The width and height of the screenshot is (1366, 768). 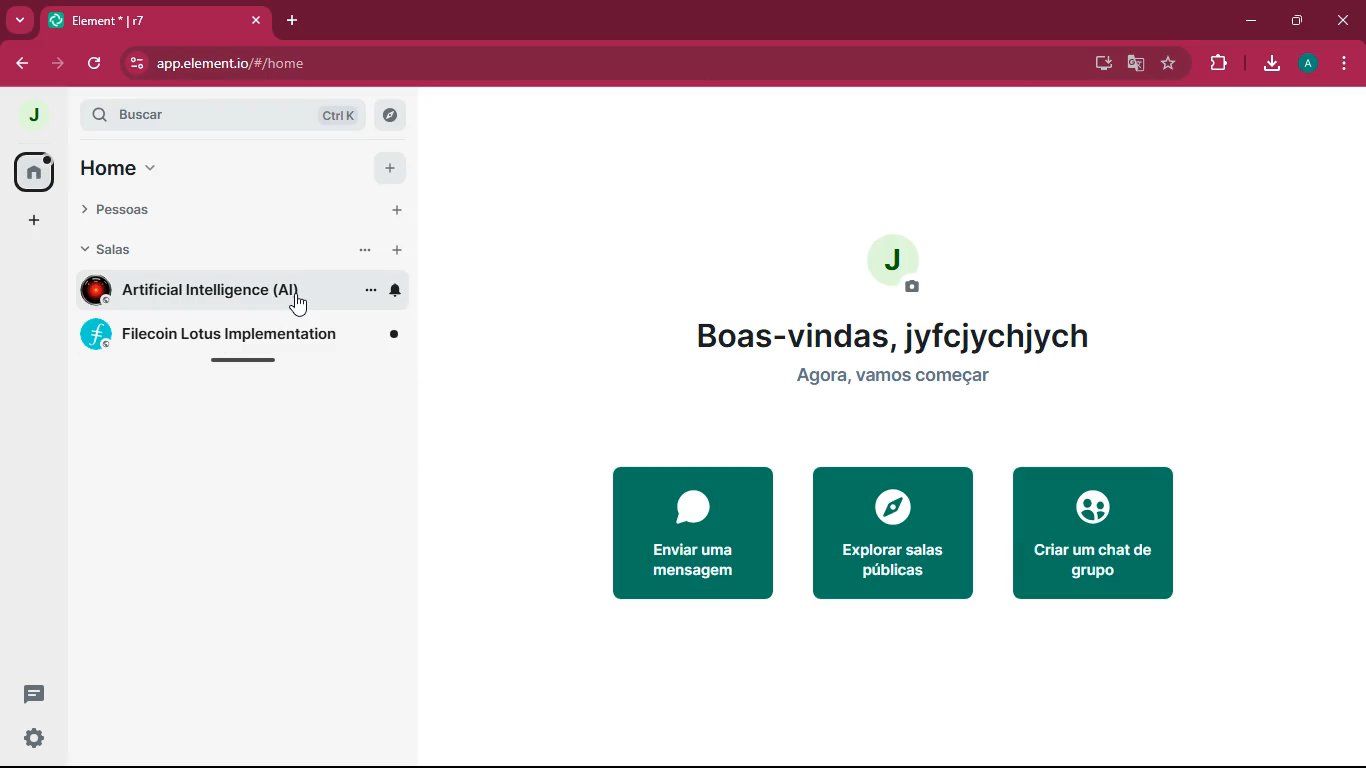 I want to click on back, so click(x=16, y=63).